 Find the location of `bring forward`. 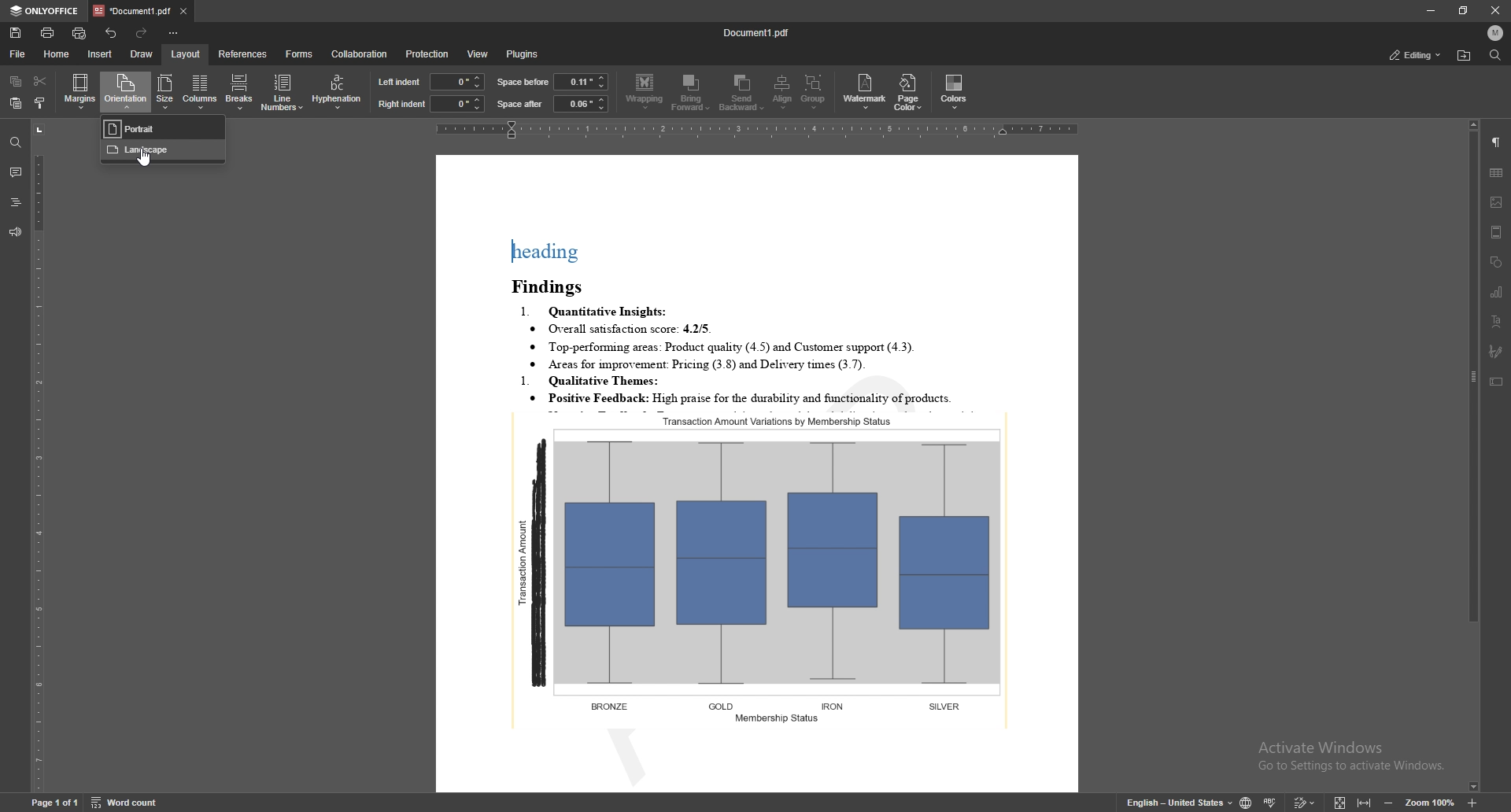

bring forward is located at coordinates (690, 93).